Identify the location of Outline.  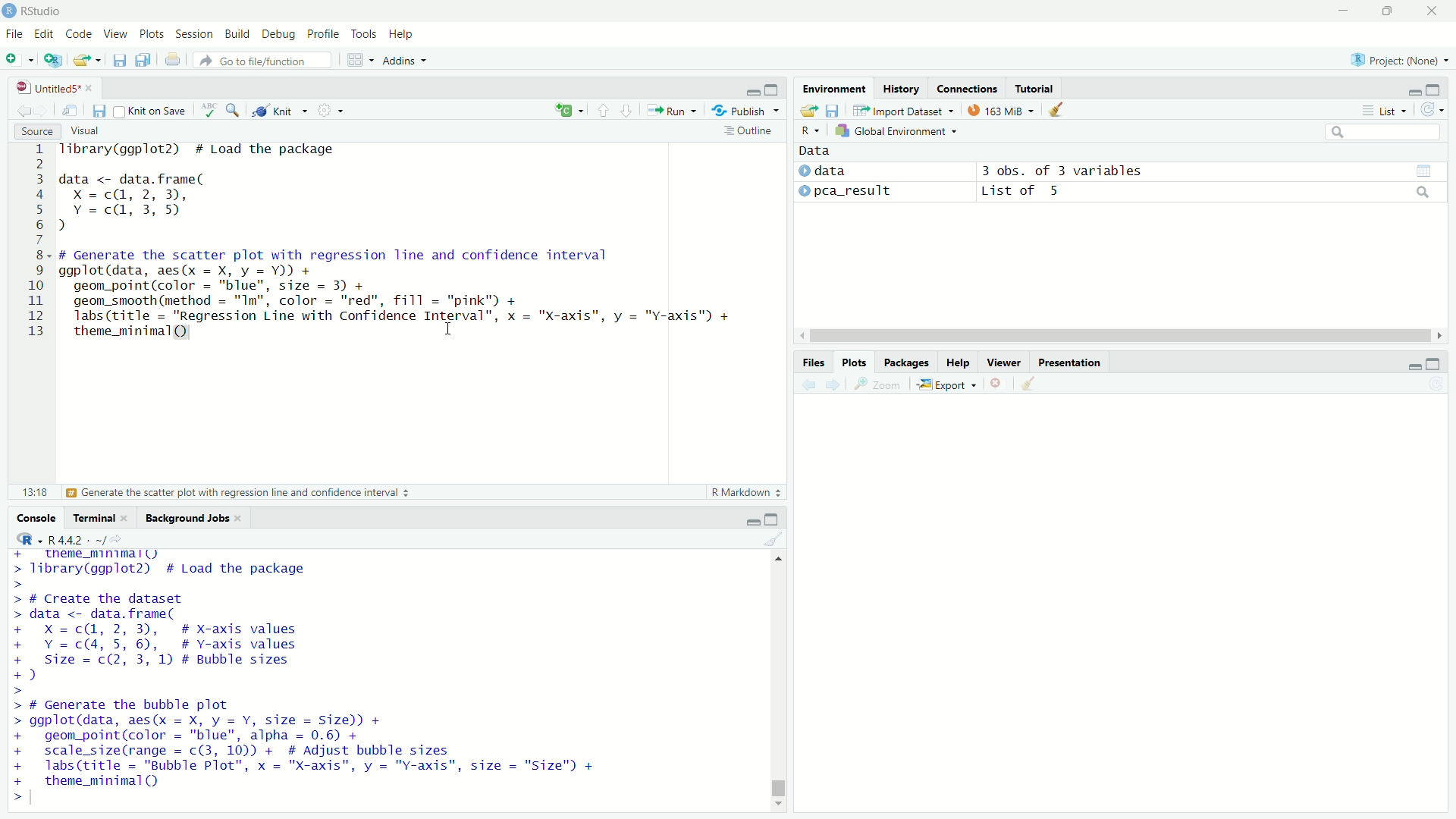
(750, 130).